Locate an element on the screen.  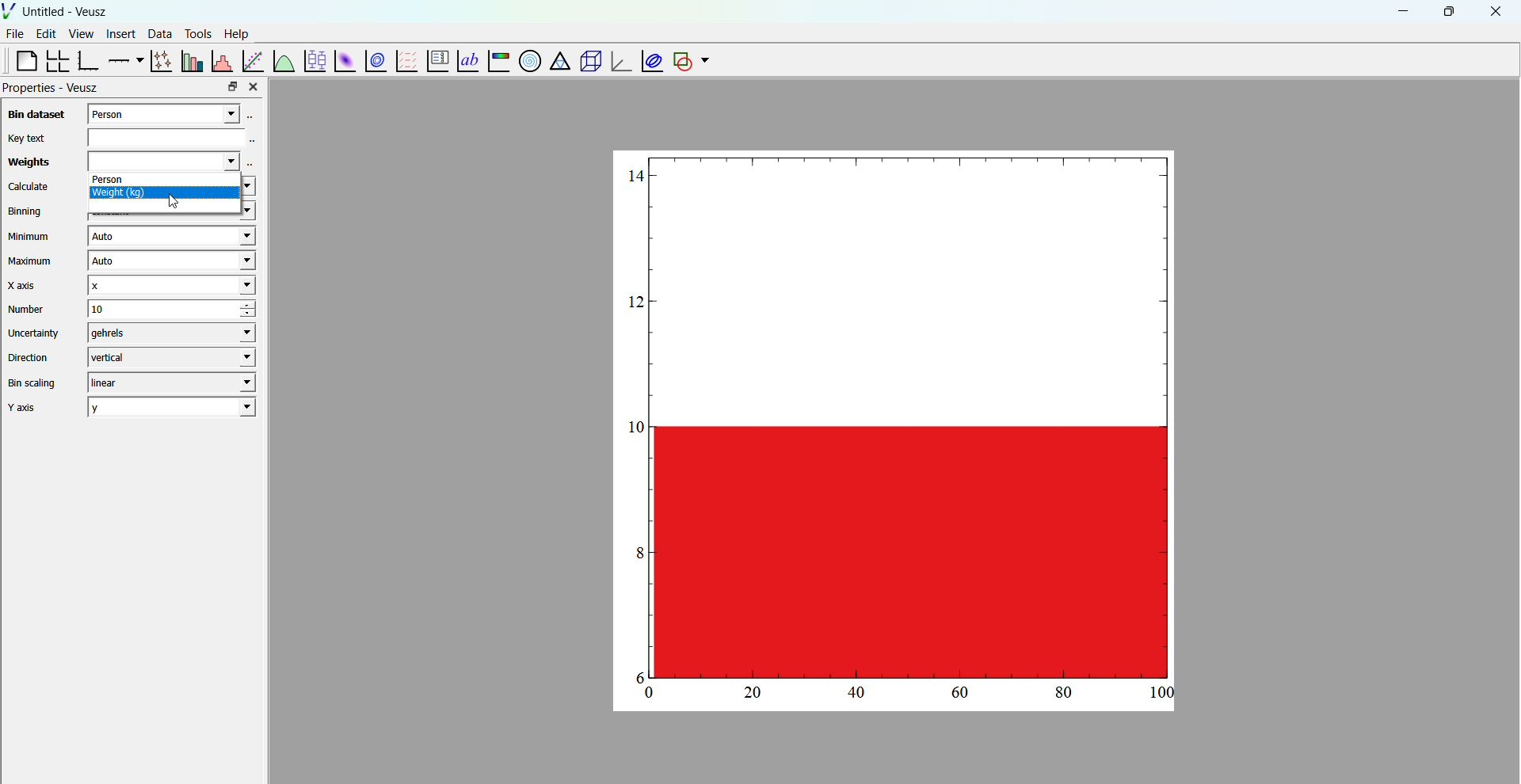
gehrels is located at coordinates (168, 333).